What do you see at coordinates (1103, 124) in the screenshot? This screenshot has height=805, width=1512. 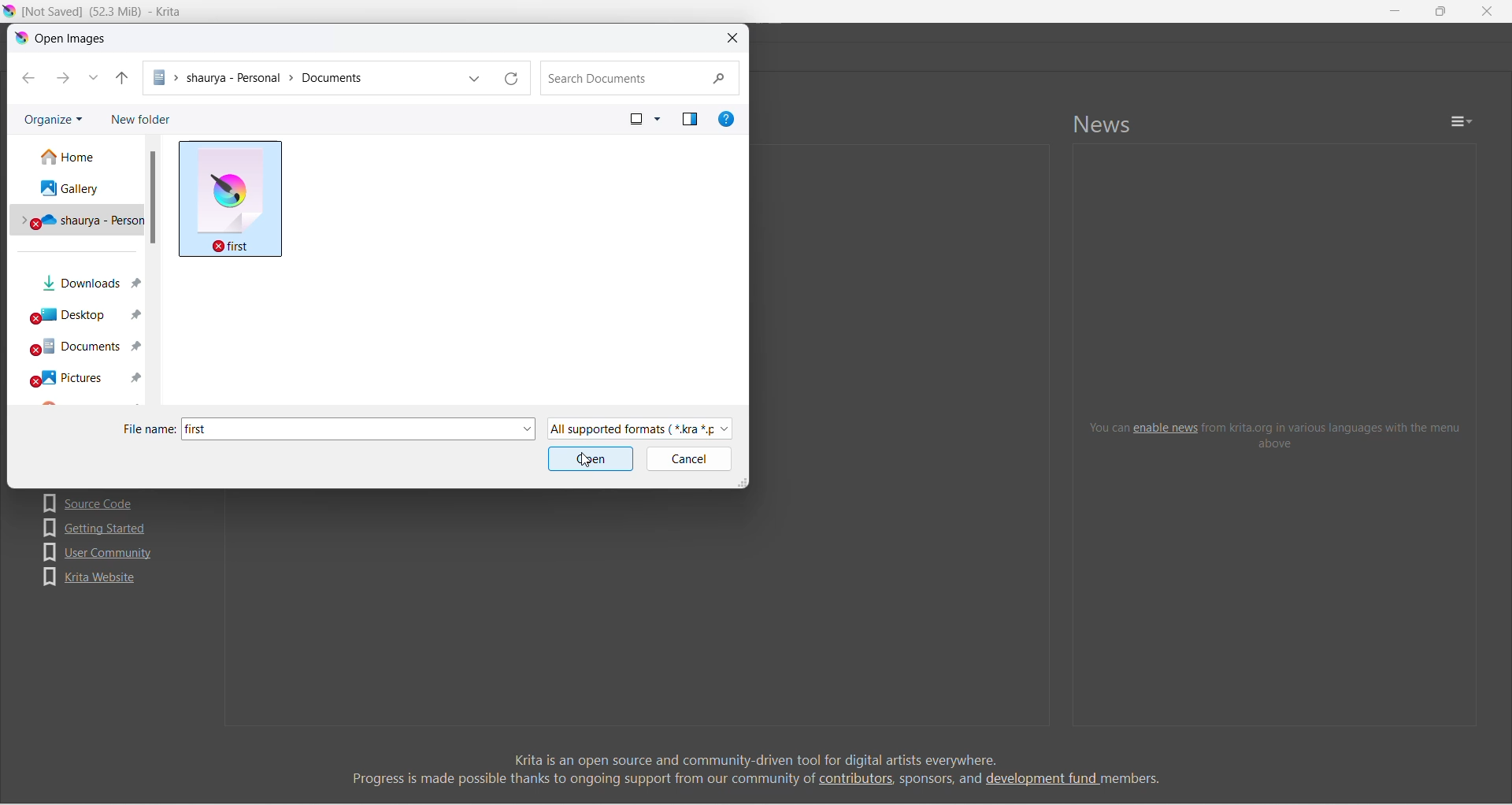 I see `news` at bounding box center [1103, 124].